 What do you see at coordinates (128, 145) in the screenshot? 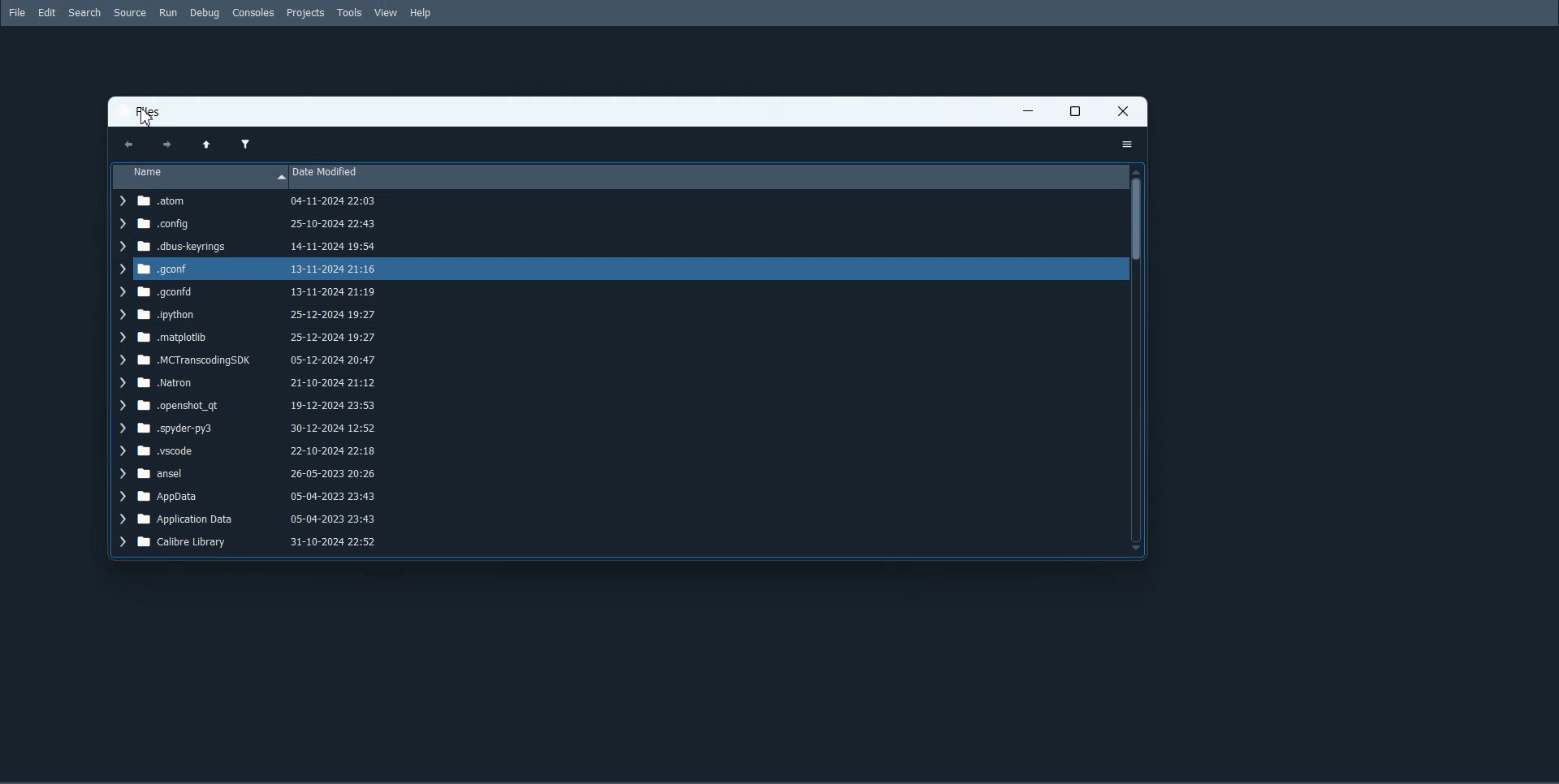
I see `Previous` at bounding box center [128, 145].